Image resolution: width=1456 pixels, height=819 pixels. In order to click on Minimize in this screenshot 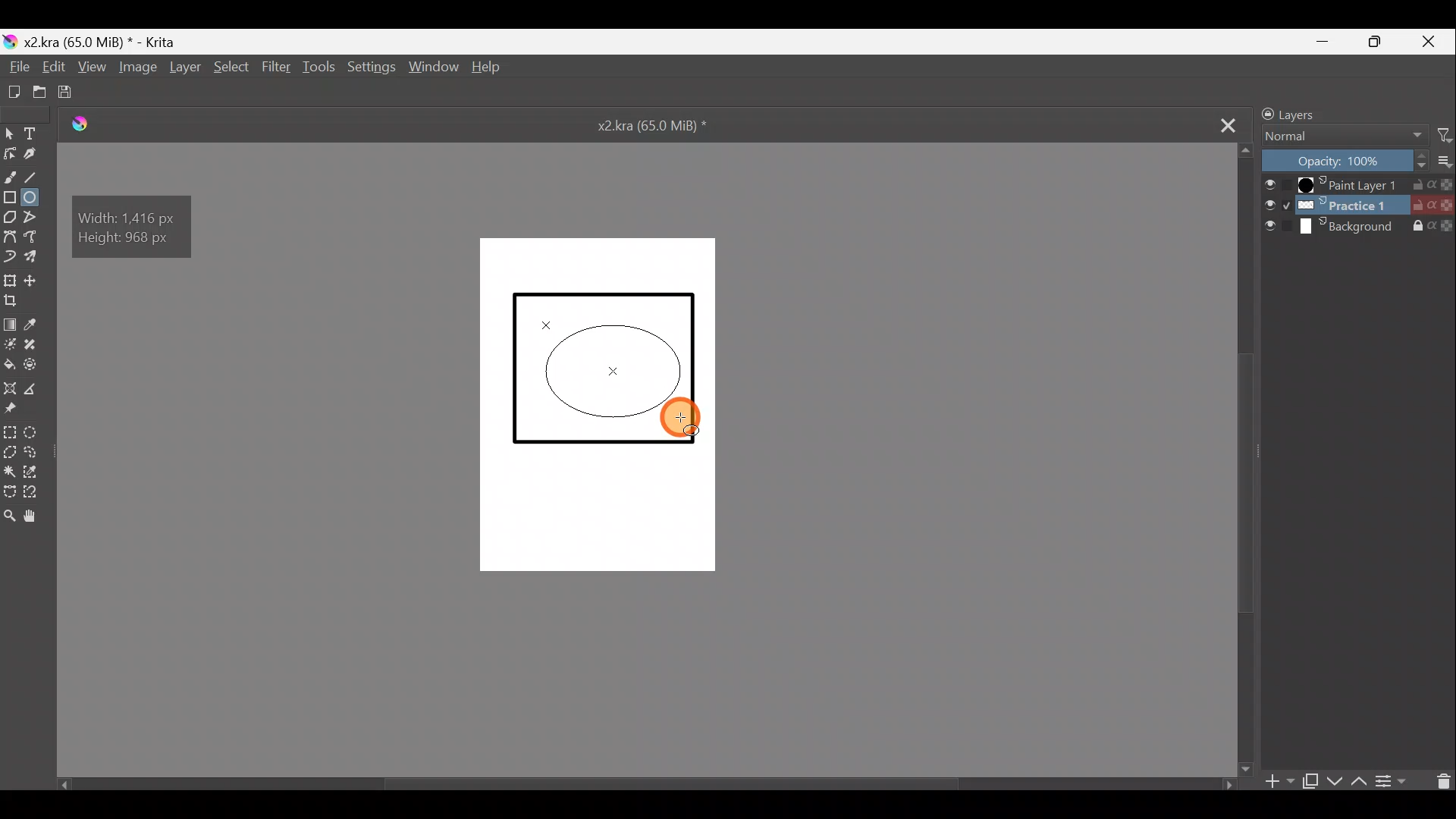, I will do `click(1332, 42)`.